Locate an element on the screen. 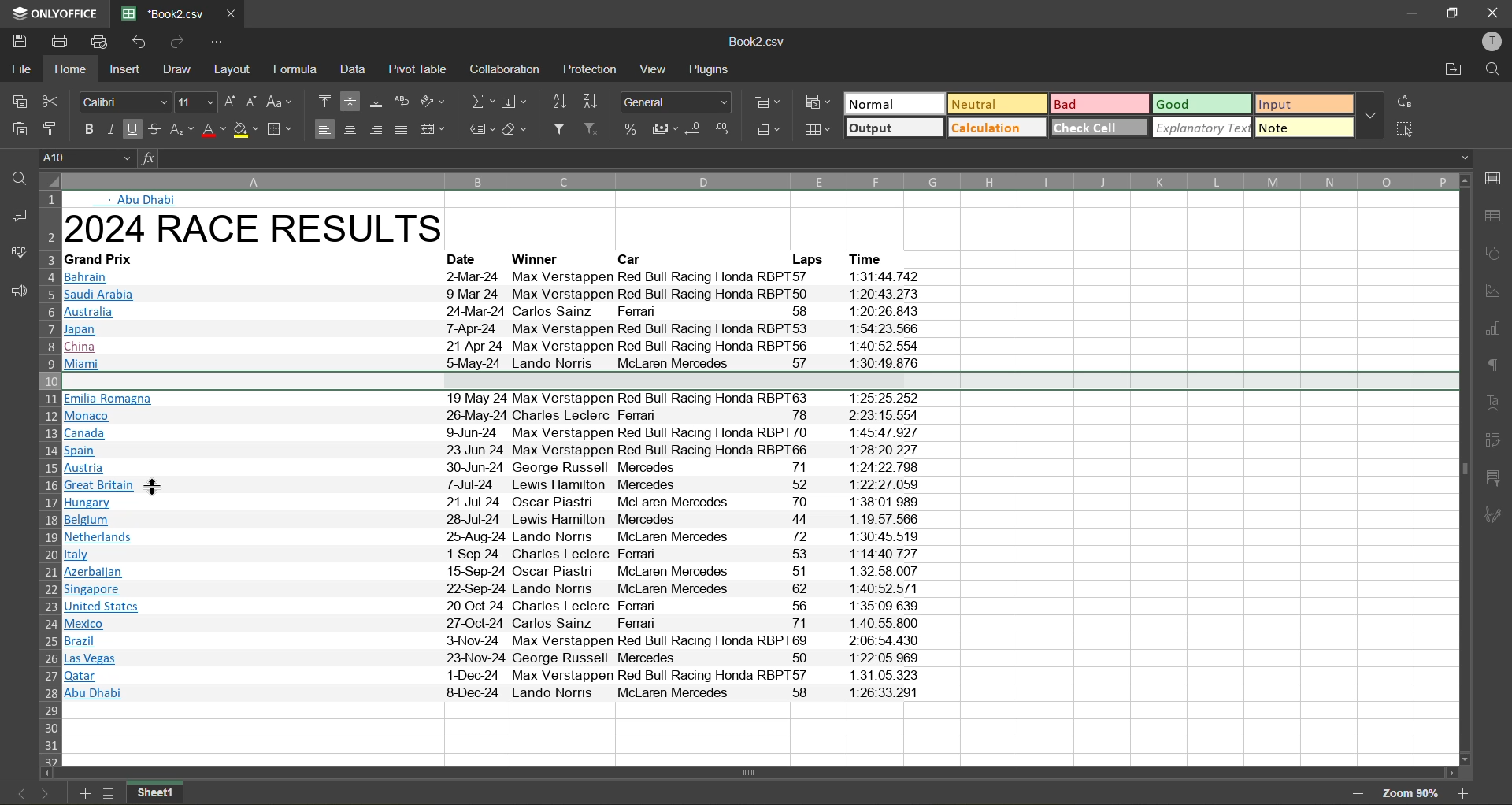  named ranges is located at coordinates (479, 129).